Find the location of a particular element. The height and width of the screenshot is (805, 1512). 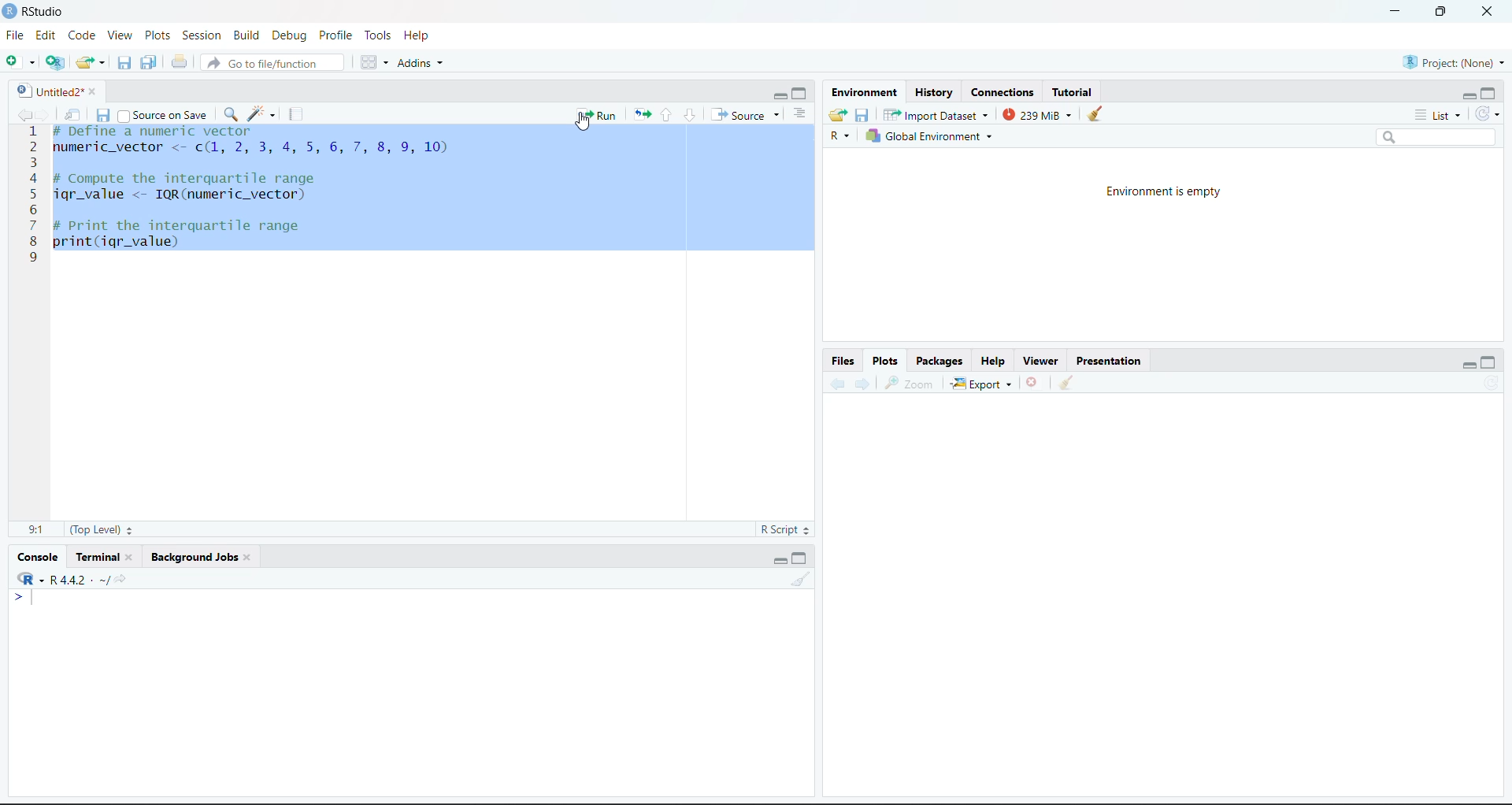

Environment is empty is located at coordinates (1166, 191).